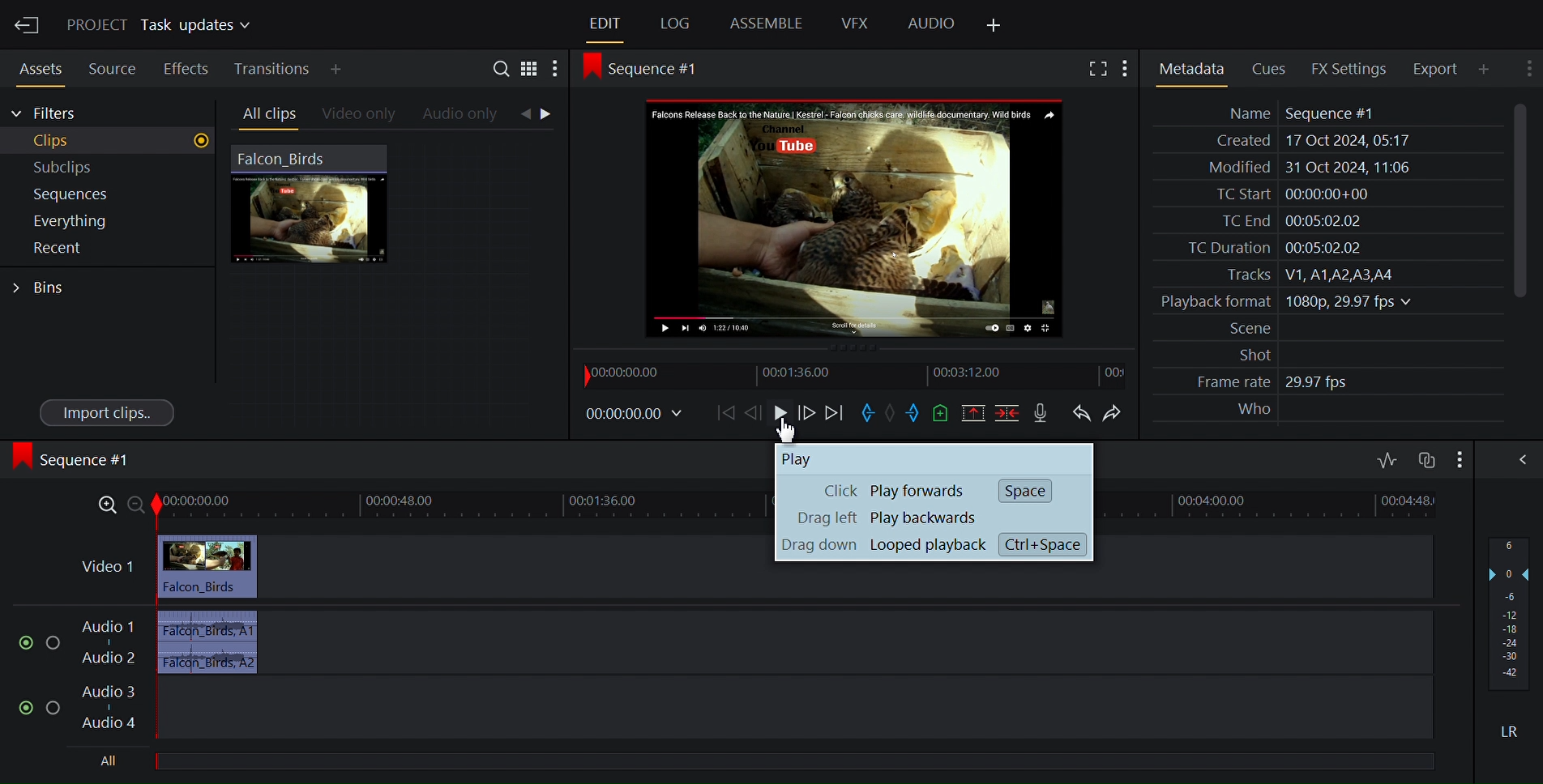  Describe the element at coordinates (1049, 544) in the screenshot. I see `Crtl +  Space` at that location.